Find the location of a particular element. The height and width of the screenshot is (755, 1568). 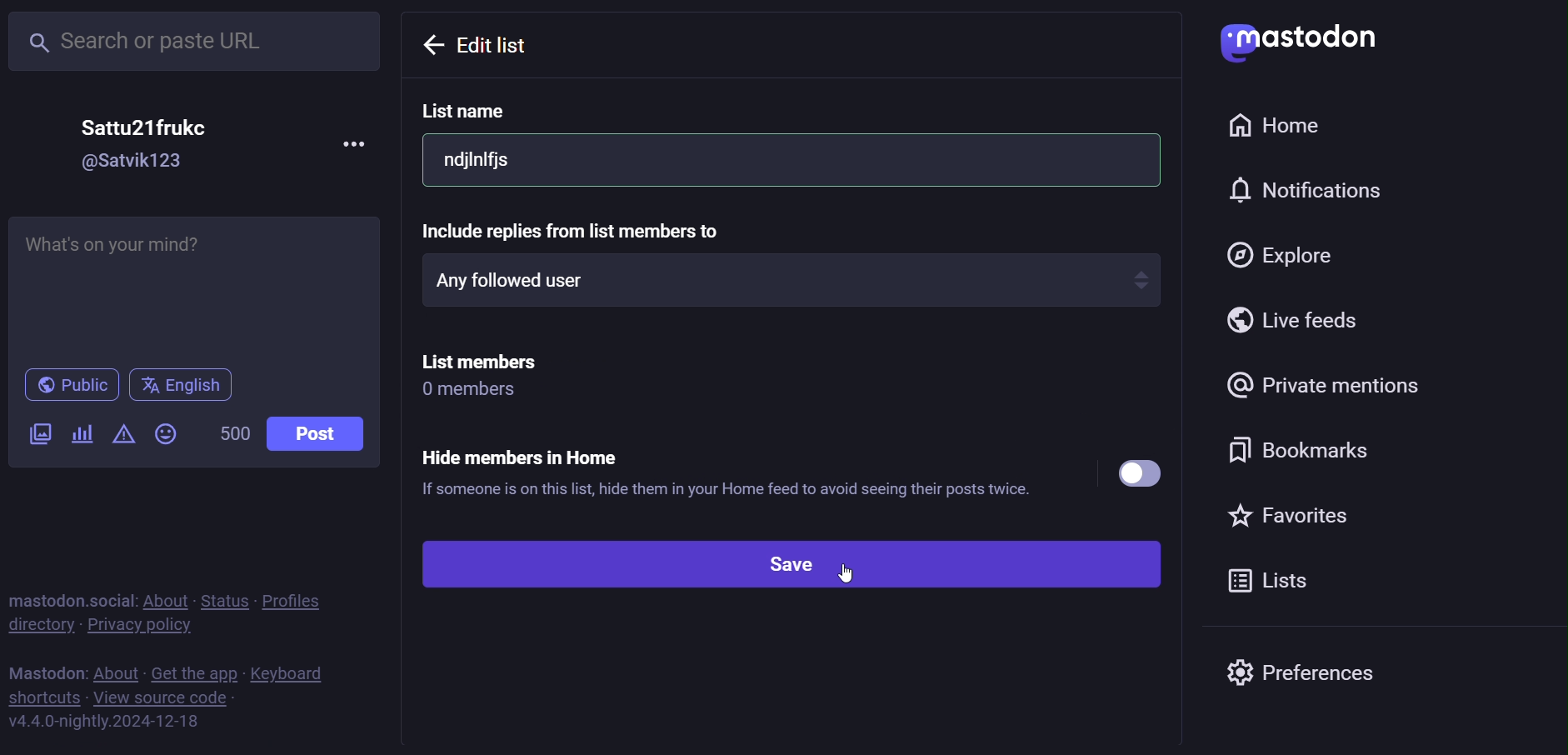

any followed user is located at coordinates (793, 277).